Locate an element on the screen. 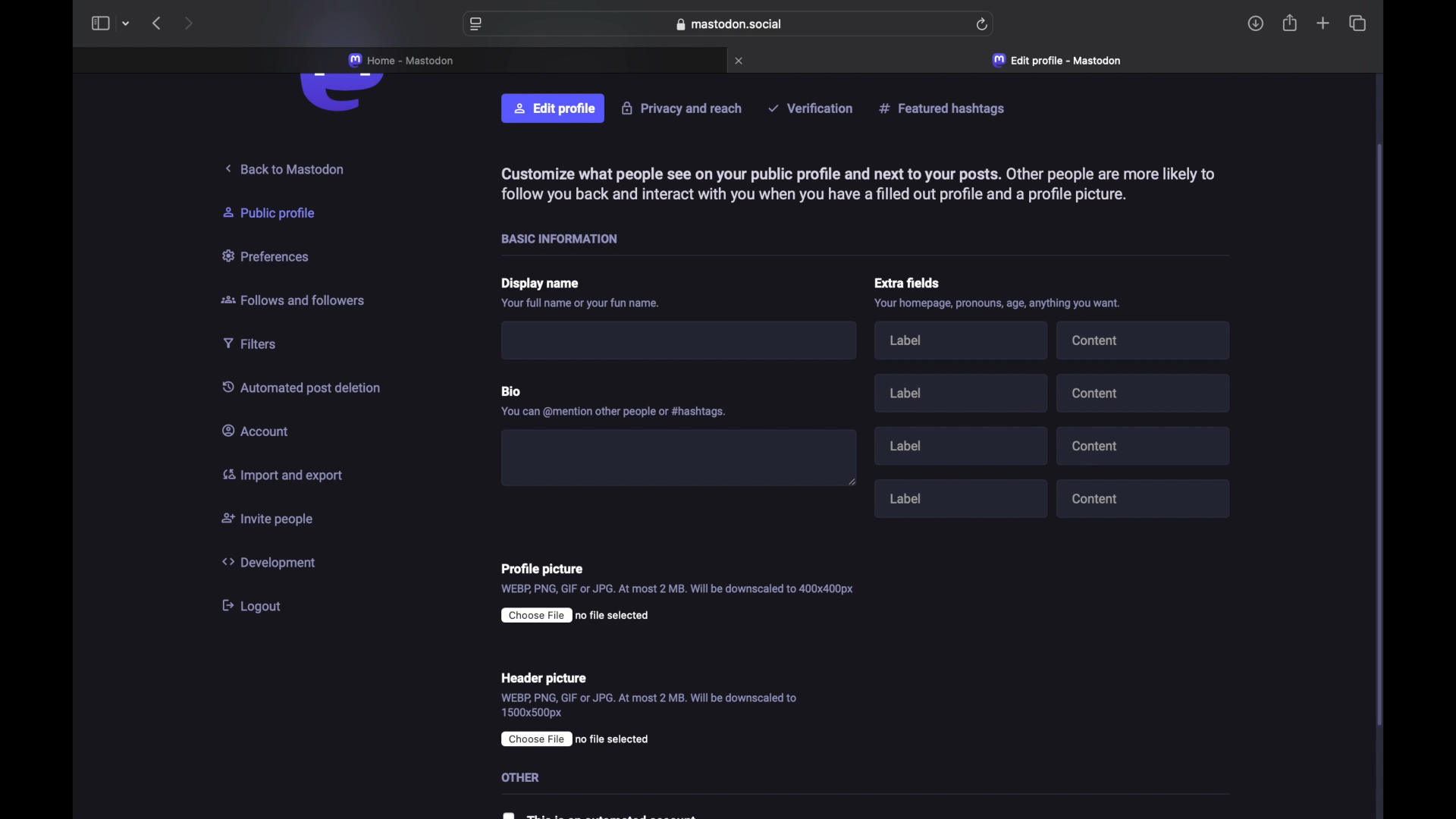 The image size is (1456, 819). Header picture is located at coordinates (544, 677).